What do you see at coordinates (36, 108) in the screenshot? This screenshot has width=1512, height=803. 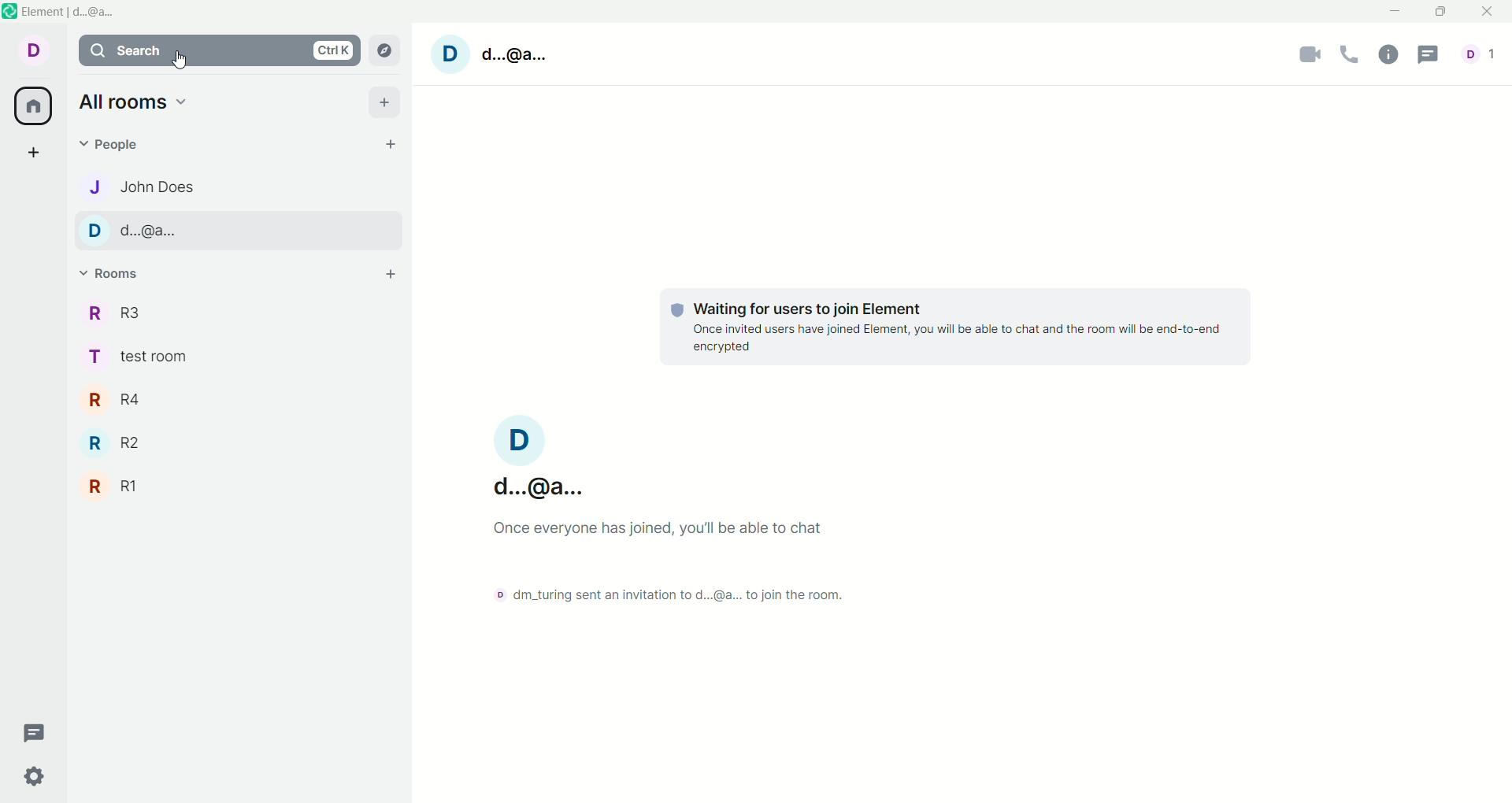 I see `all rooms` at bounding box center [36, 108].